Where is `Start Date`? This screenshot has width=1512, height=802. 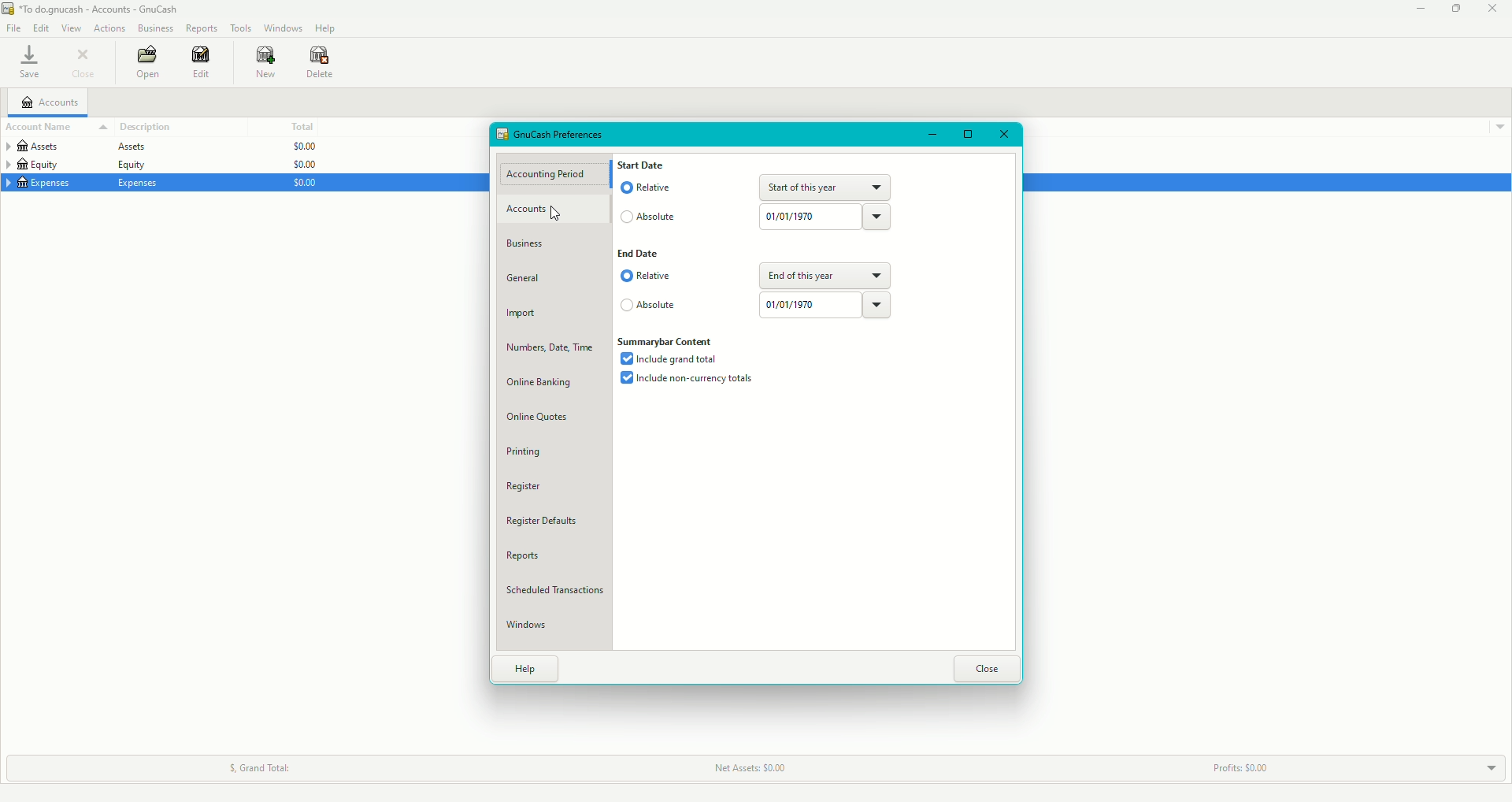 Start Date is located at coordinates (644, 164).